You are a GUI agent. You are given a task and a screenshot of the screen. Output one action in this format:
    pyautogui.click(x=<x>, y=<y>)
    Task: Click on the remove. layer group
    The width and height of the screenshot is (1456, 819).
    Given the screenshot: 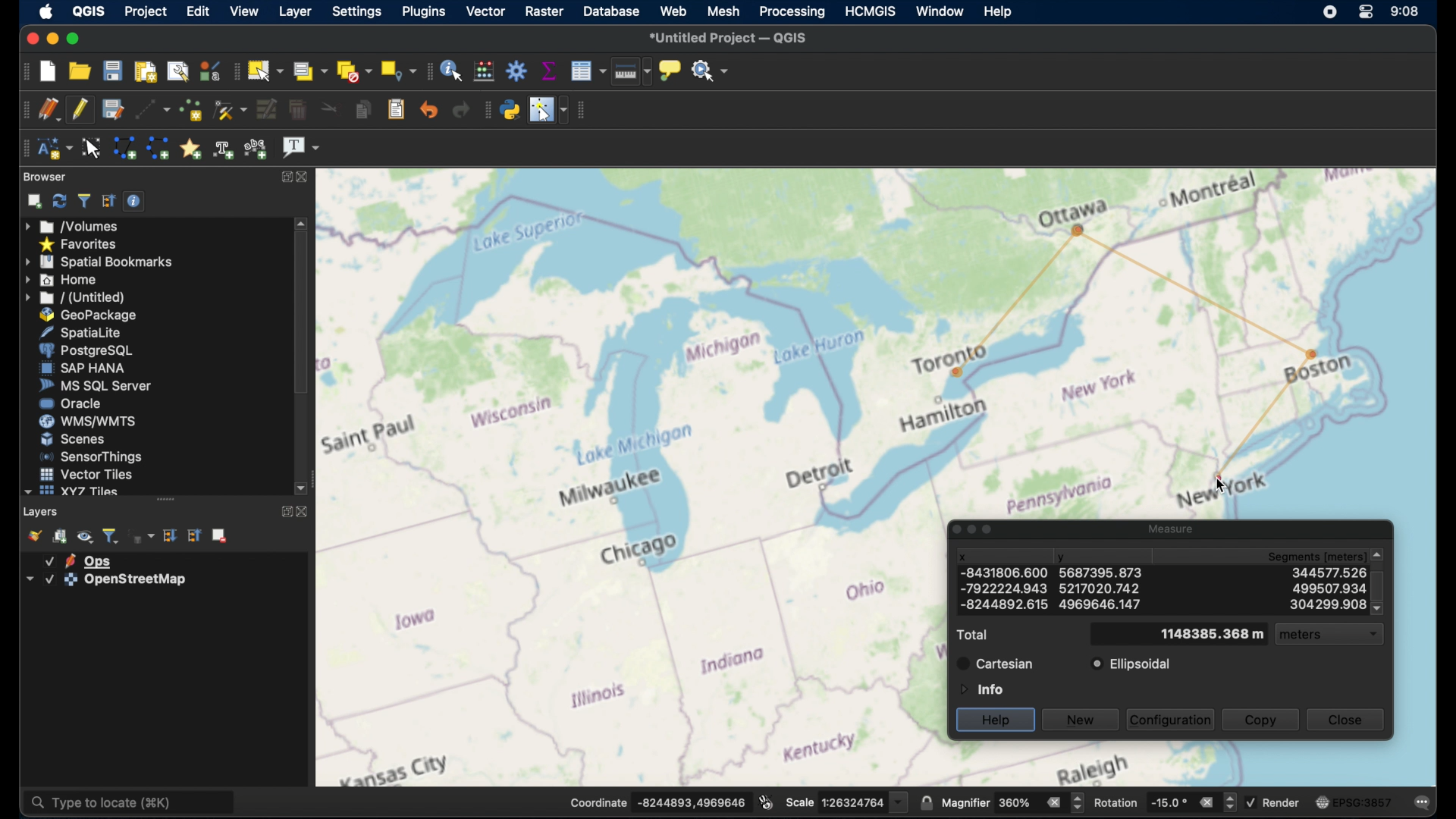 What is the action you would take?
    pyautogui.click(x=221, y=537)
    